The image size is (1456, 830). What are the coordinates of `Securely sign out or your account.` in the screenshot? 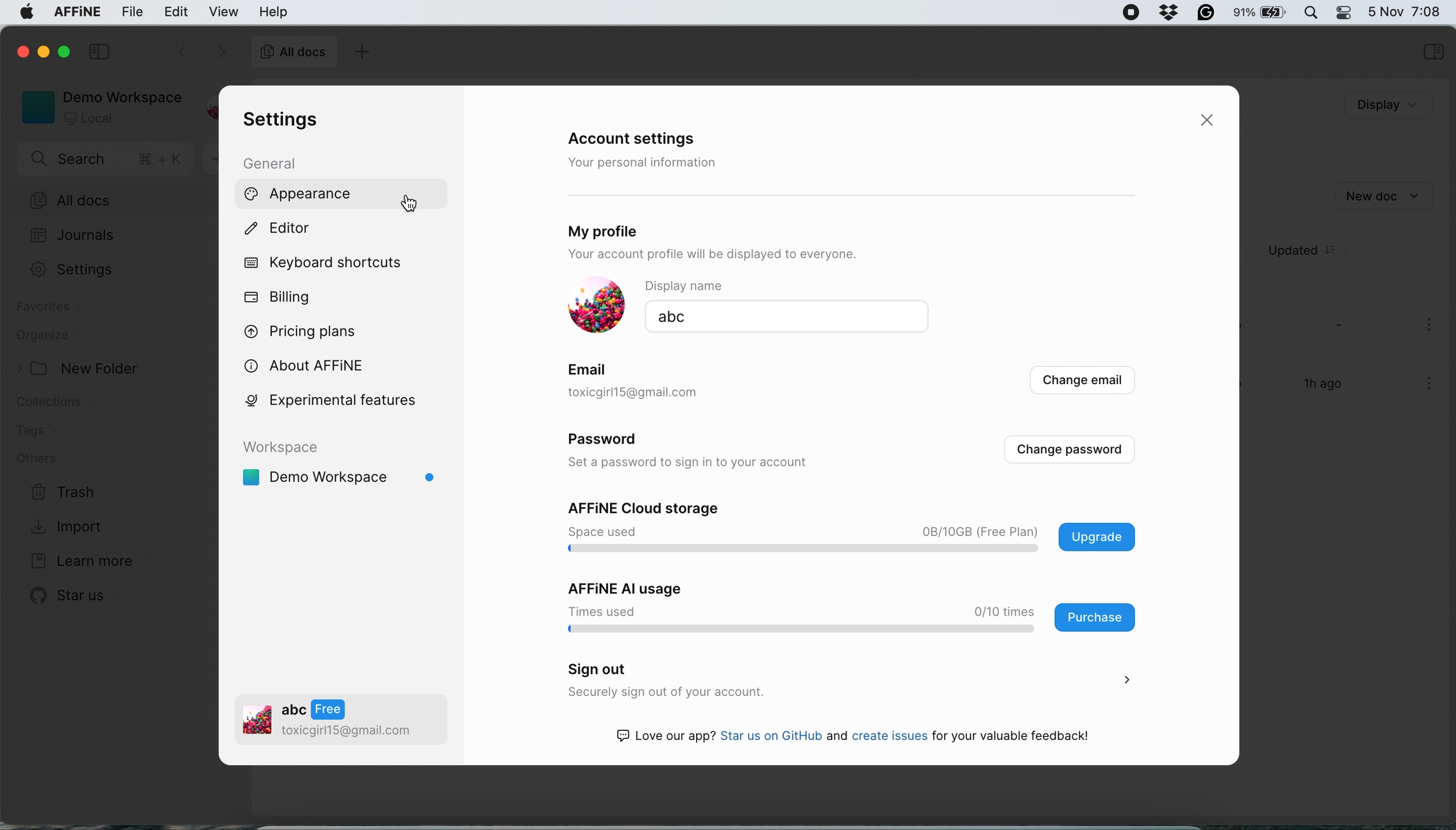 It's located at (796, 692).